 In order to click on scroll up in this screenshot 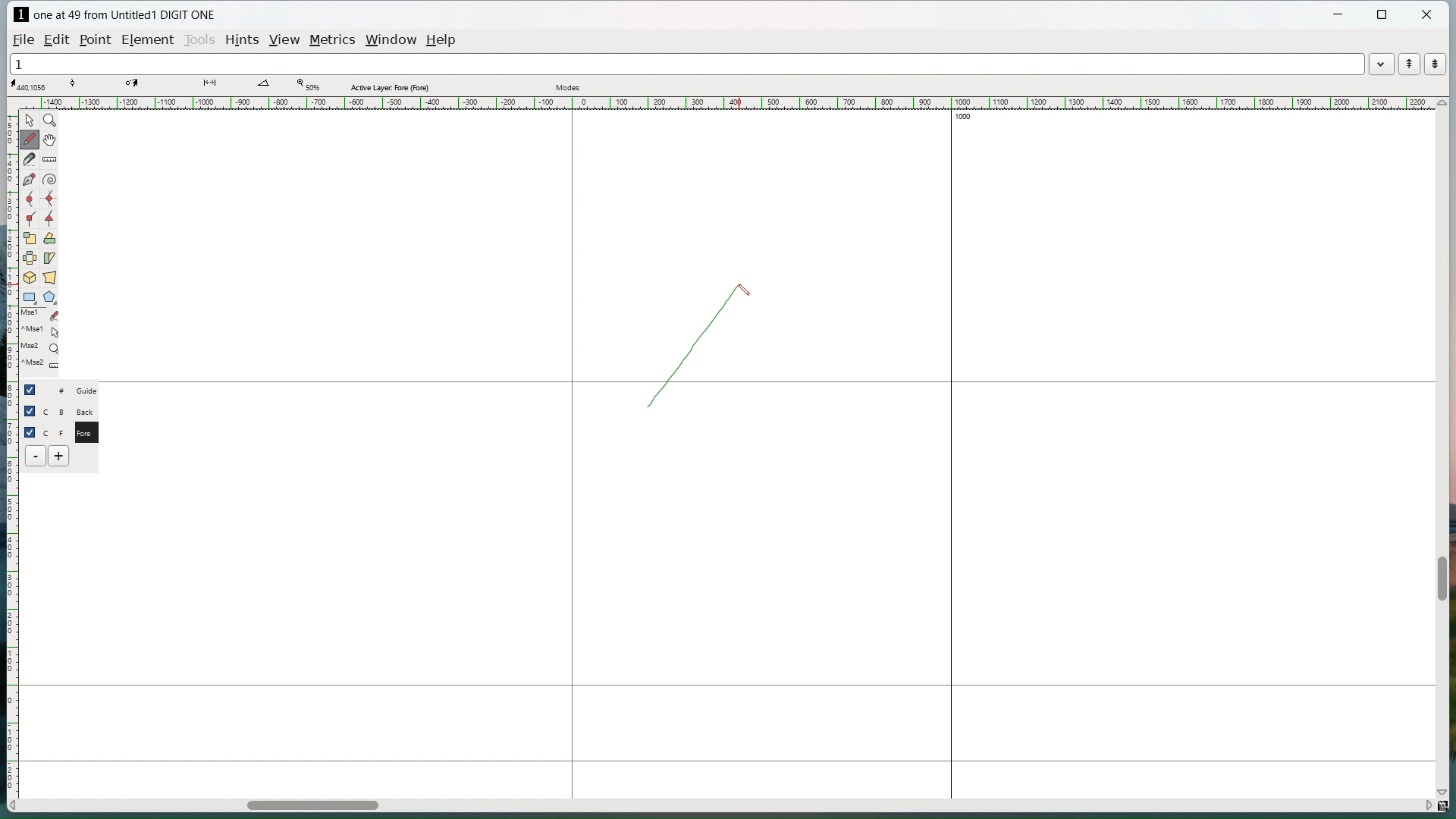, I will do `click(1441, 103)`.